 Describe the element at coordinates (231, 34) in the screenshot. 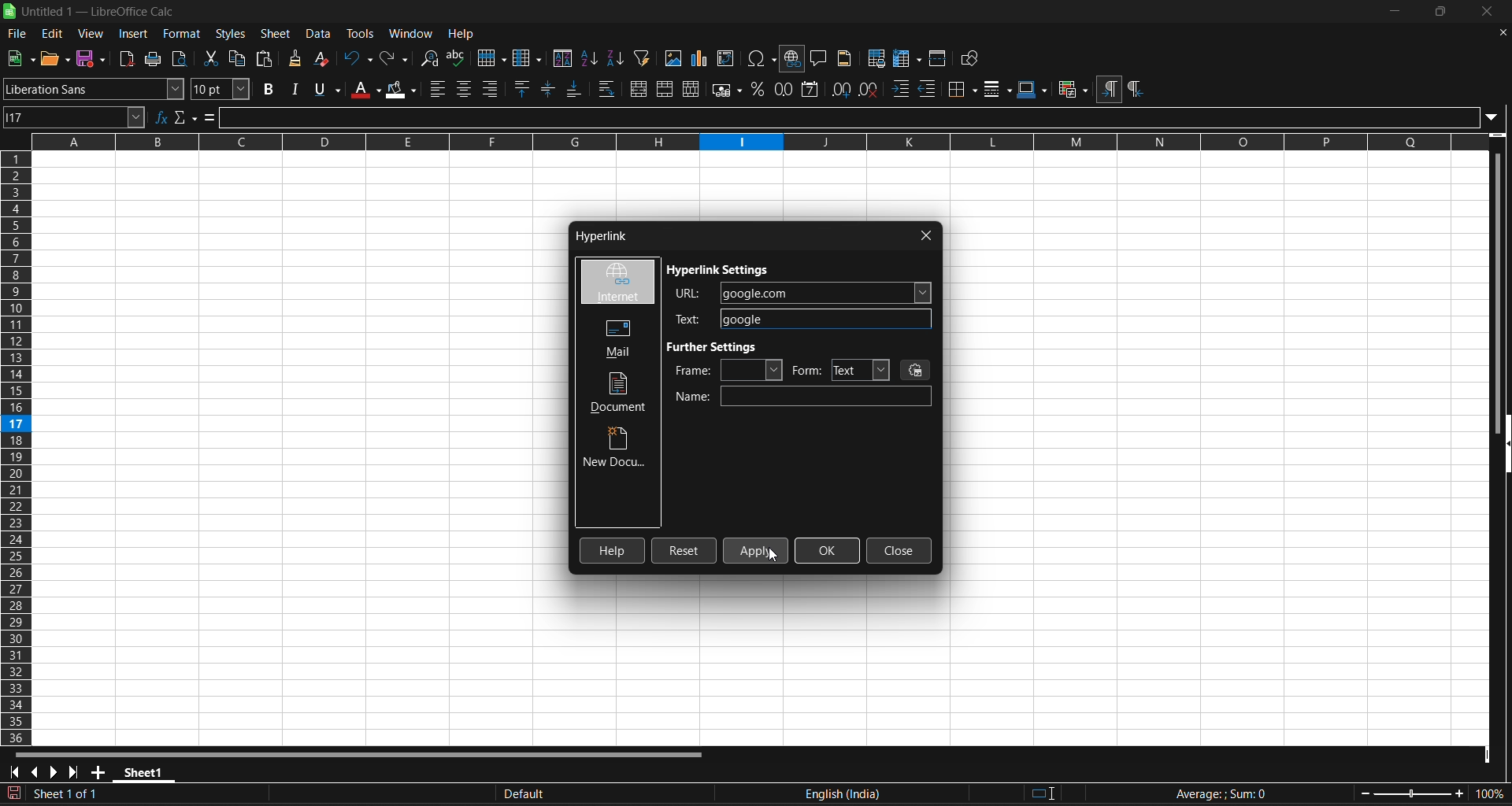

I see `styles` at that location.